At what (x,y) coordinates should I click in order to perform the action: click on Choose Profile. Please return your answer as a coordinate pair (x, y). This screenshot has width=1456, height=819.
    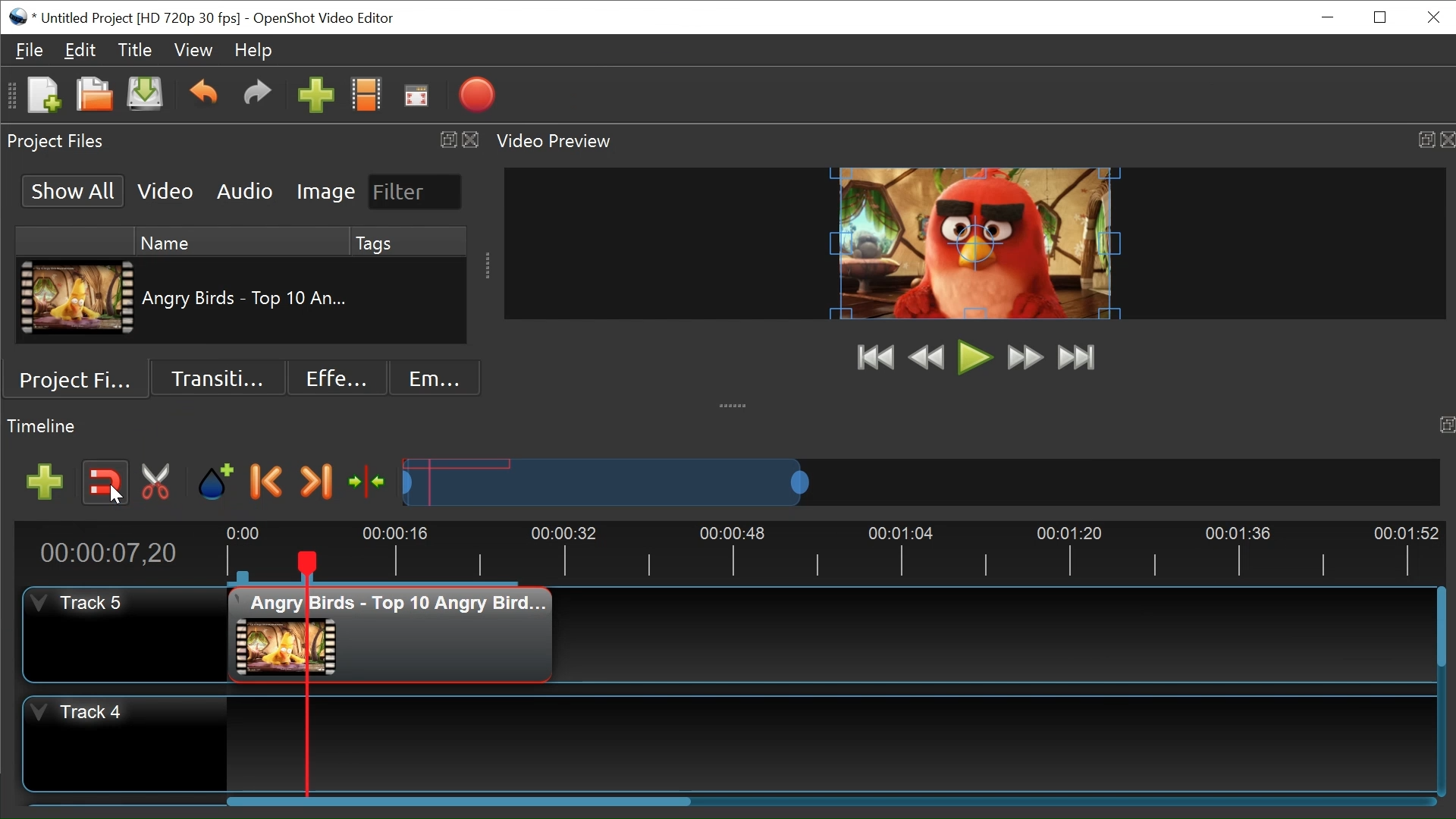
    Looking at the image, I should click on (367, 98).